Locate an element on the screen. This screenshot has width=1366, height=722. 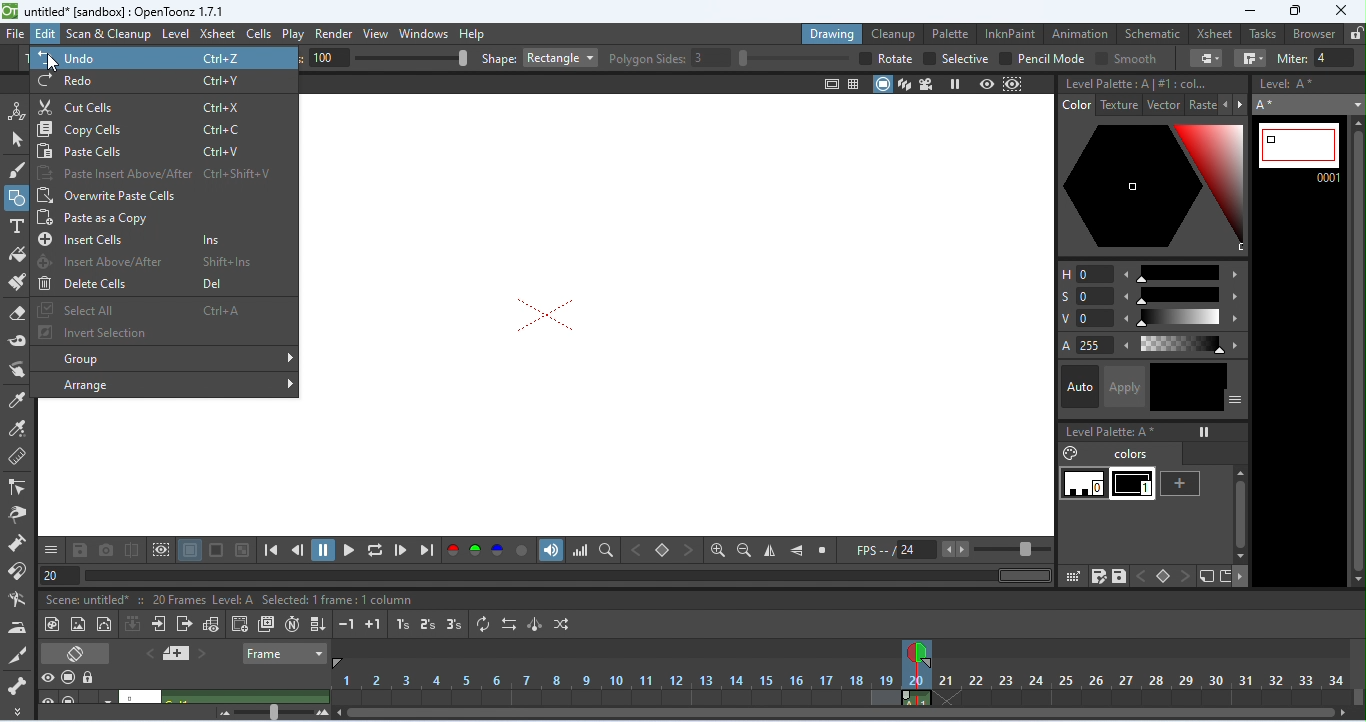
arange is located at coordinates (164, 384).